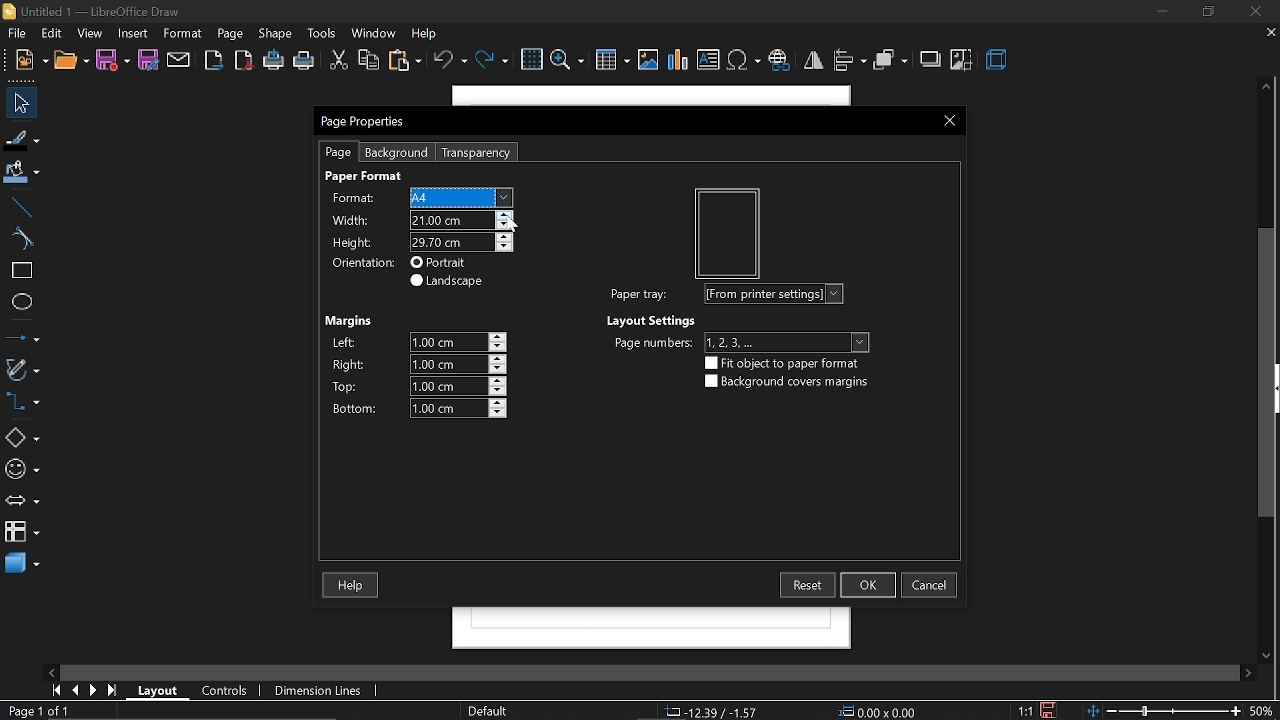  What do you see at coordinates (530, 60) in the screenshot?
I see `grid` at bounding box center [530, 60].